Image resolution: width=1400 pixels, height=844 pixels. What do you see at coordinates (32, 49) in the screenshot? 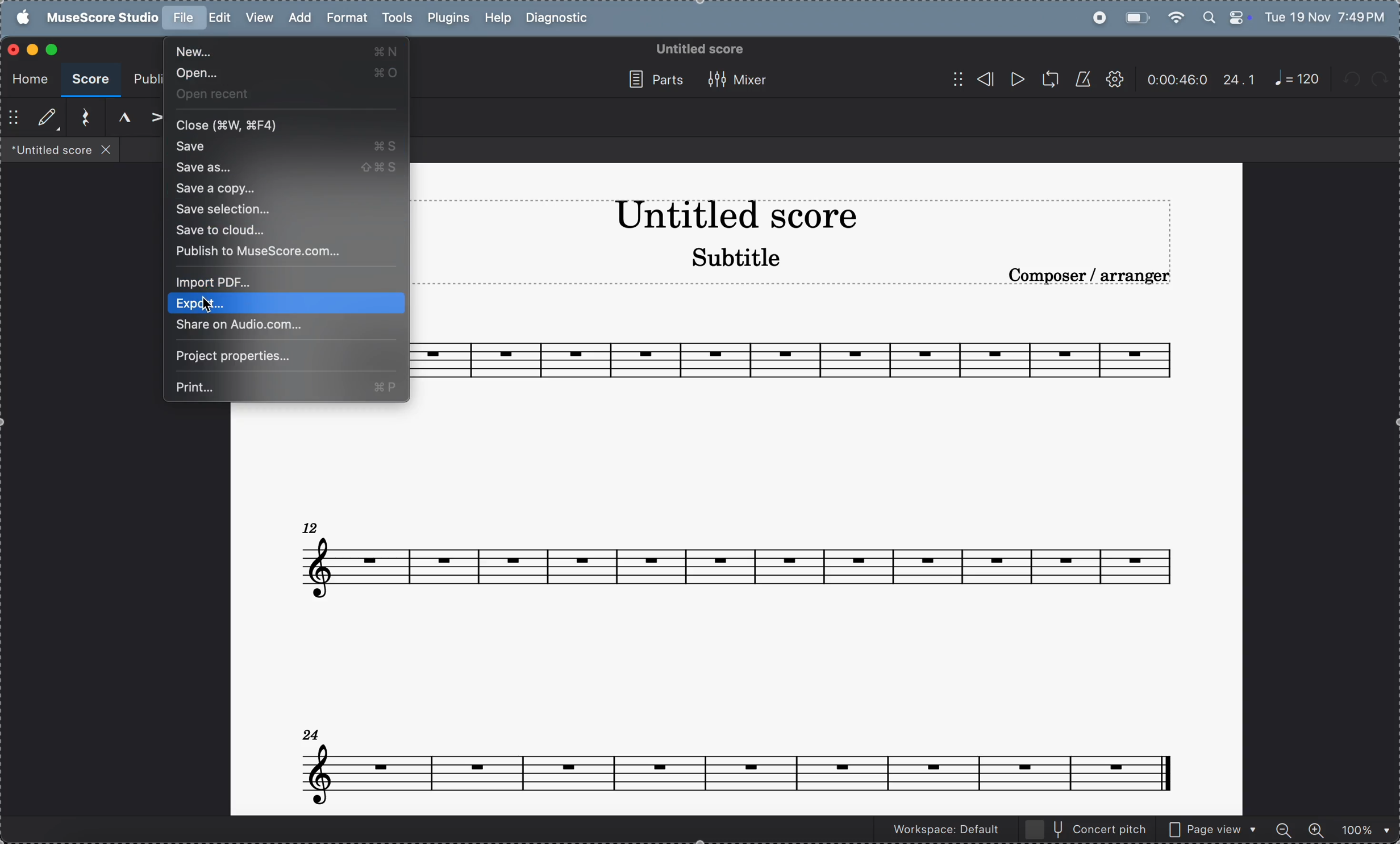
I see `minimize` at bounding box center [32, 49].